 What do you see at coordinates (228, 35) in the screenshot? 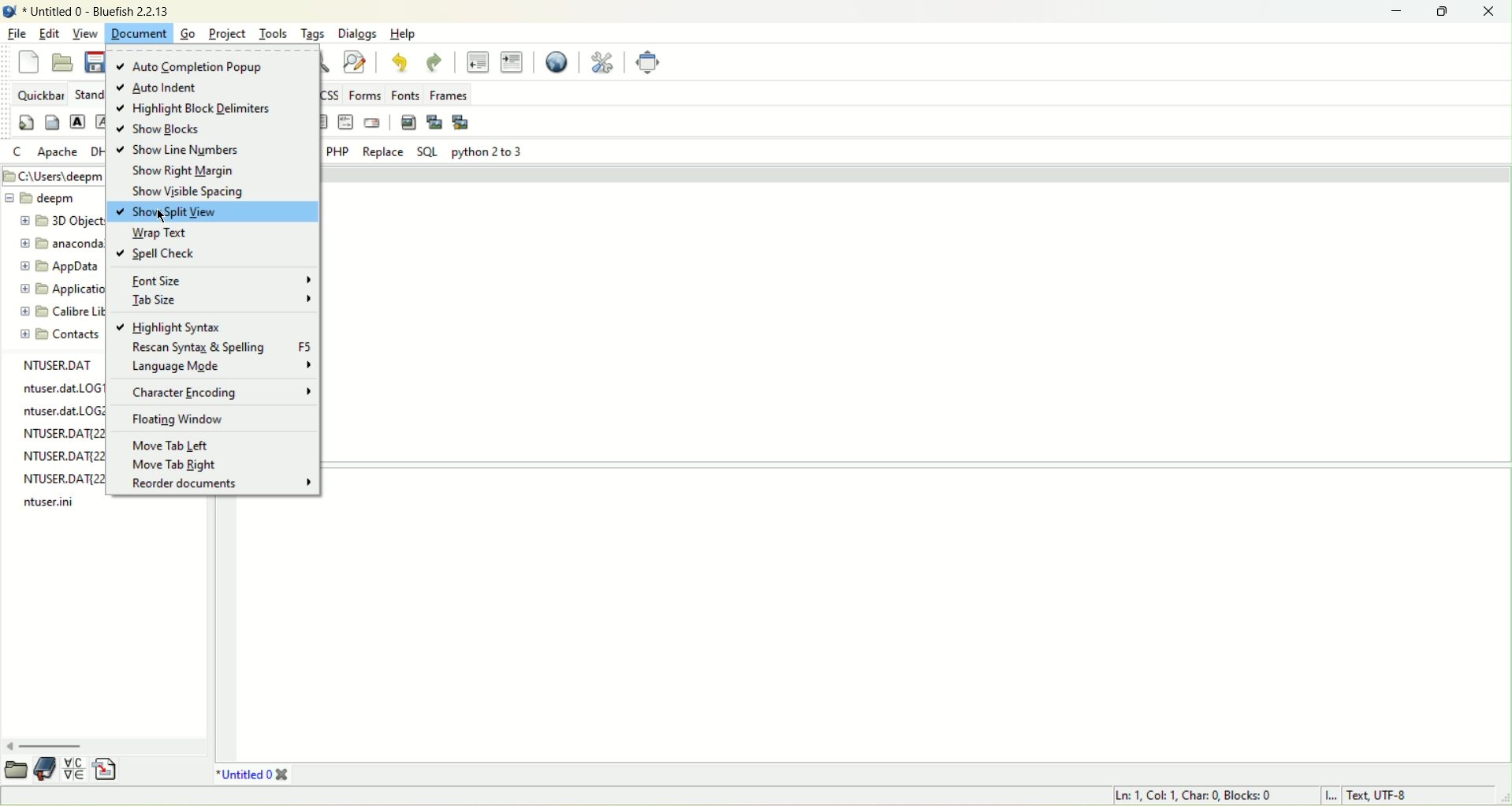
I see `project` at bounding box center [228, 35].